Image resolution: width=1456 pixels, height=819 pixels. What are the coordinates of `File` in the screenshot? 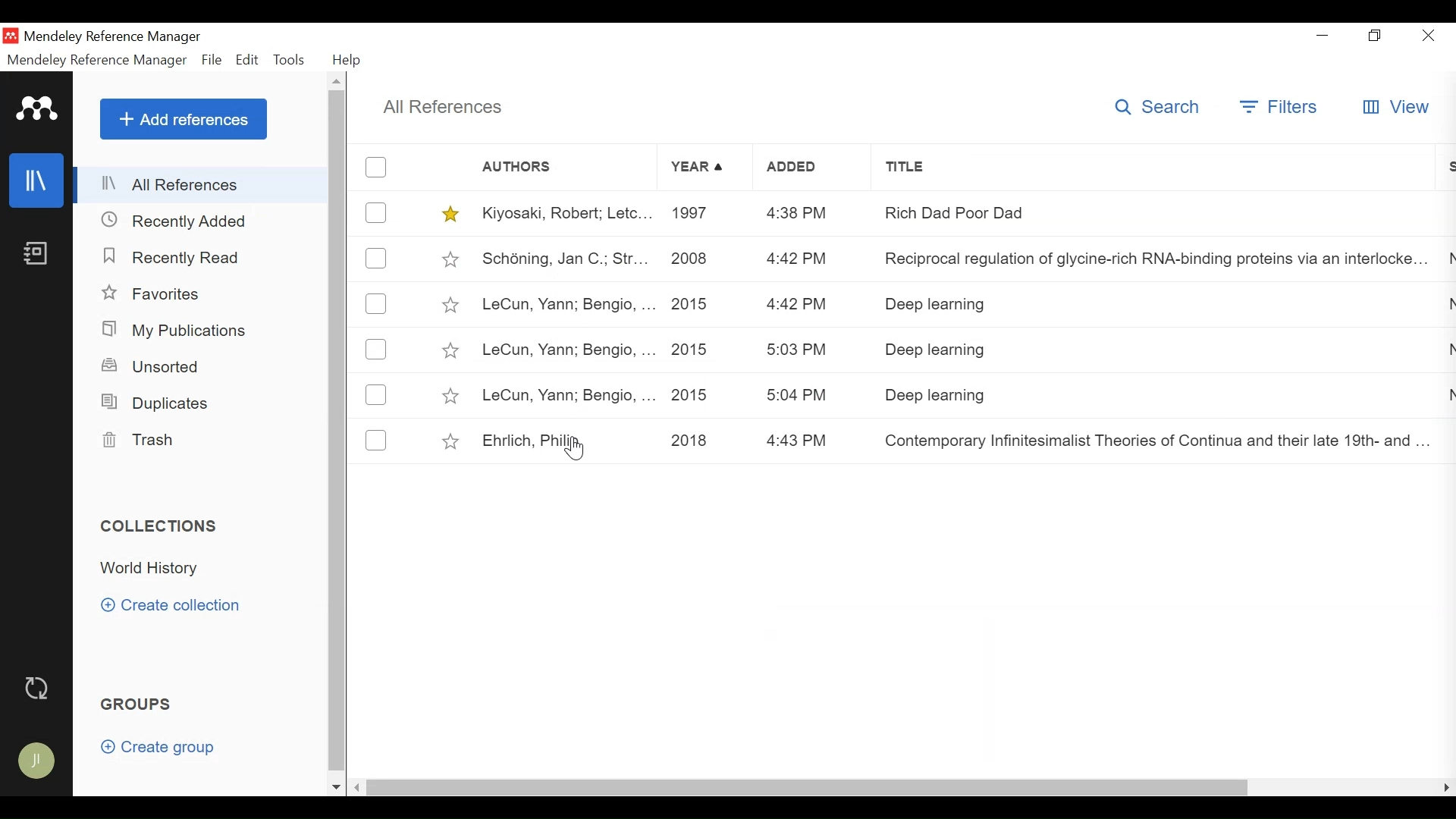 It's located at (213, 60).